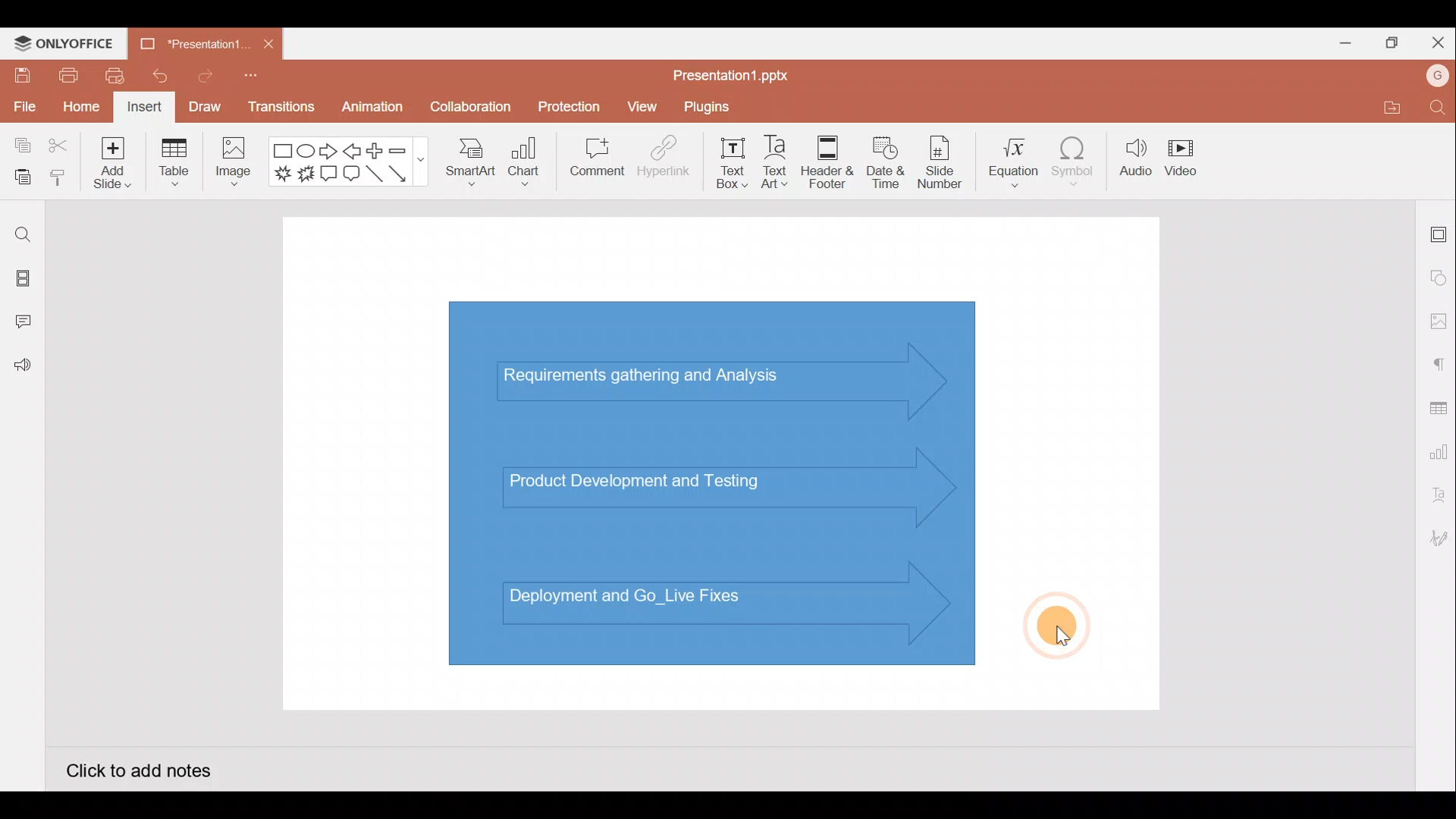 The height and width of the screenshot is (819, 1456). What do you see at coordinates (1183, 155) in the screenshot?
I see `Video` at bounding box center [1183, 155].